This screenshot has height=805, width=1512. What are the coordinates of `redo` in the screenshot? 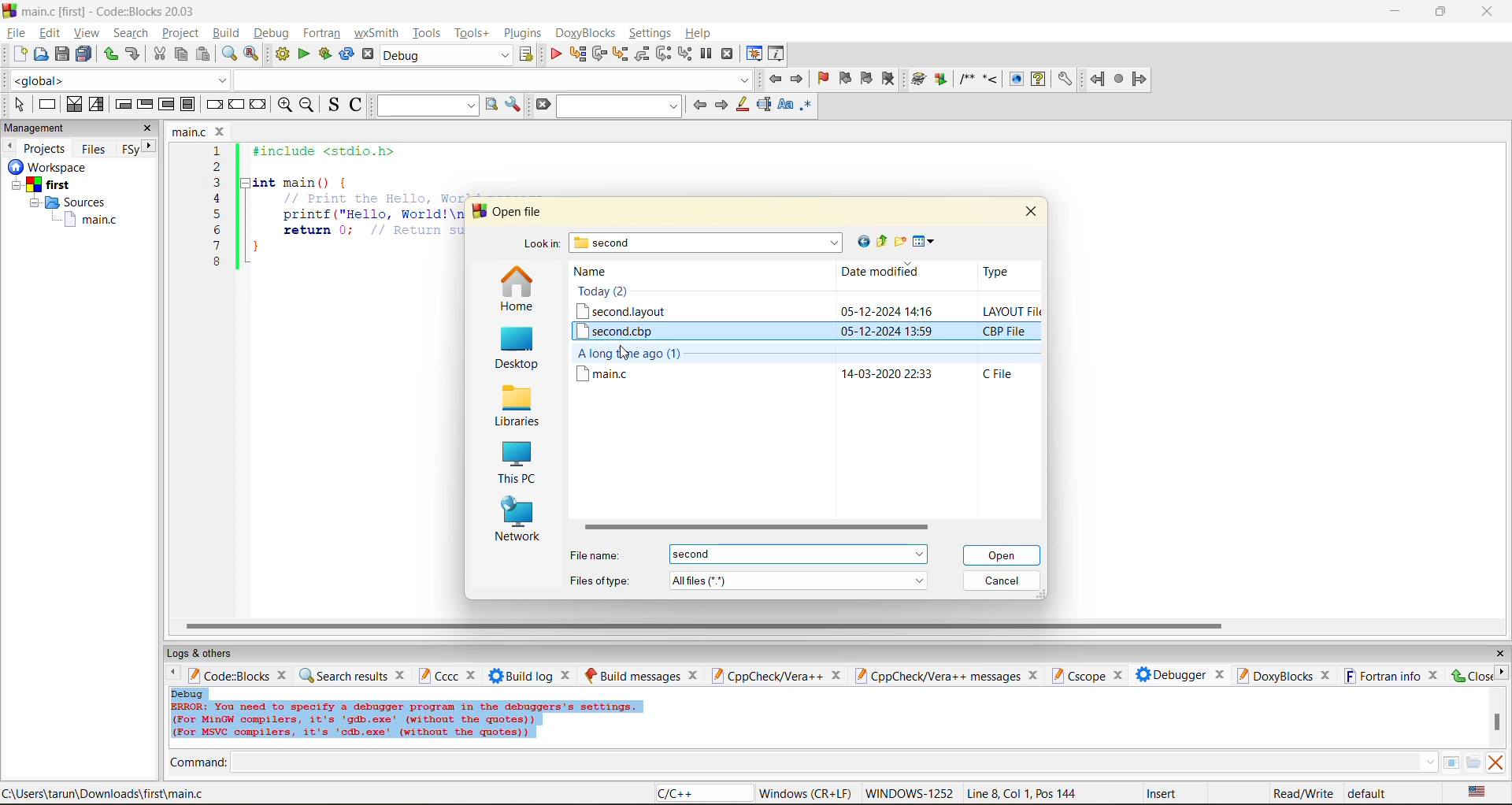 It's located at (110, 54).